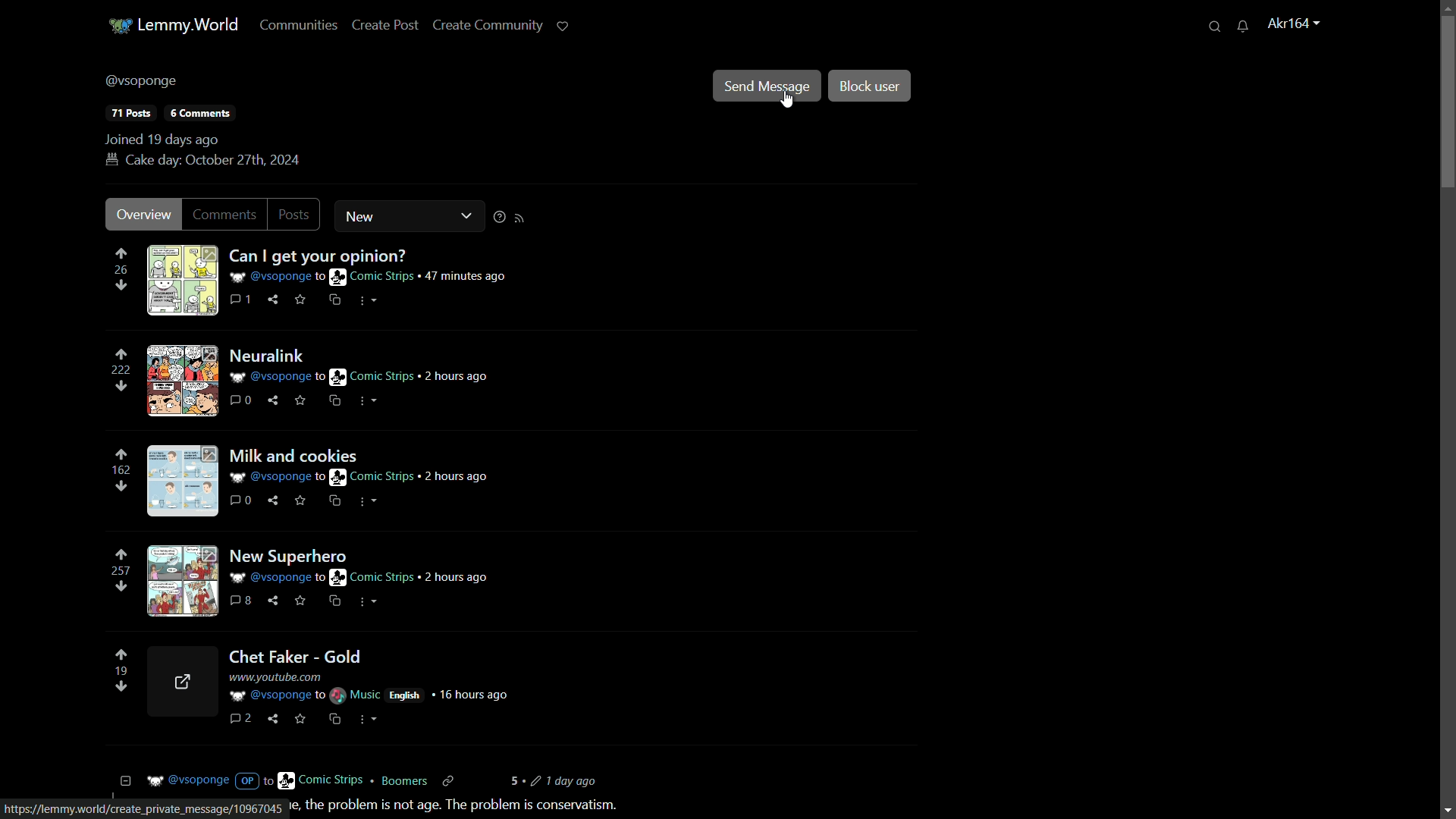  What do you see at coordinates (143, 810) in the screenshot?
I see `link` at bounding box center [143, 810].